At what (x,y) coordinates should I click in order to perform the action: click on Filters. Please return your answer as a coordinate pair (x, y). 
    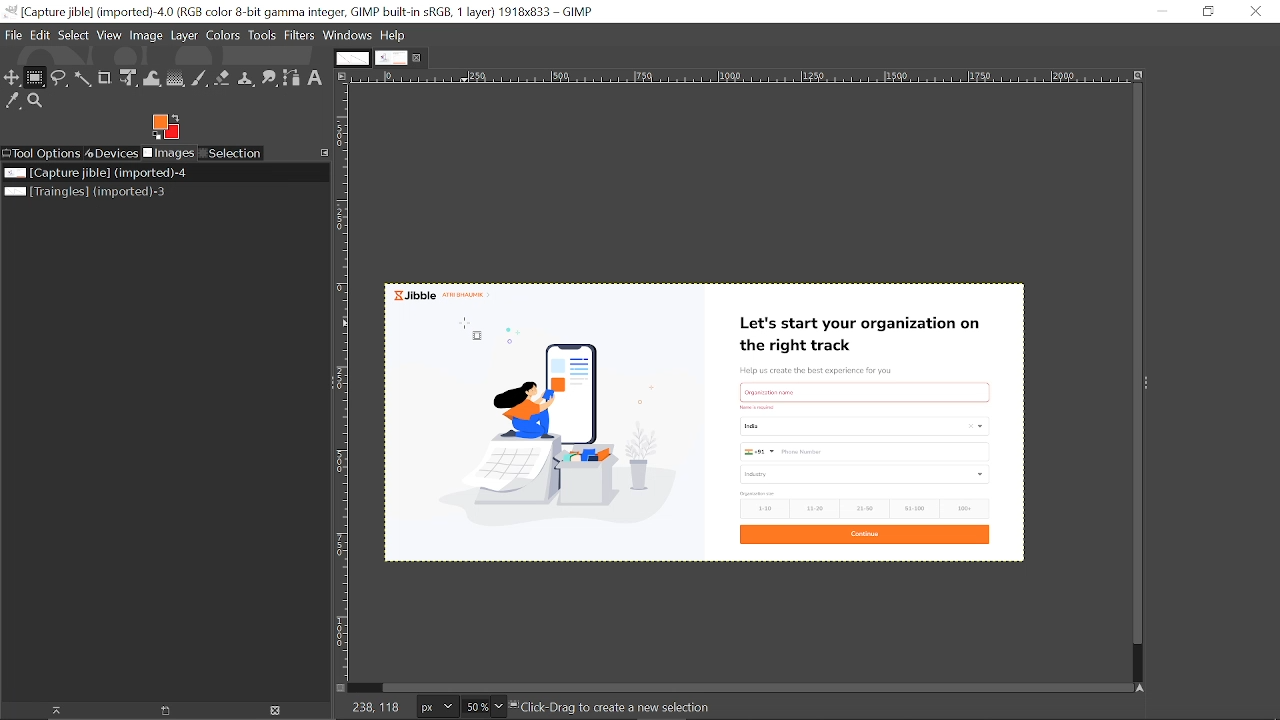
    Looking at the image, I should click on (299, 36).